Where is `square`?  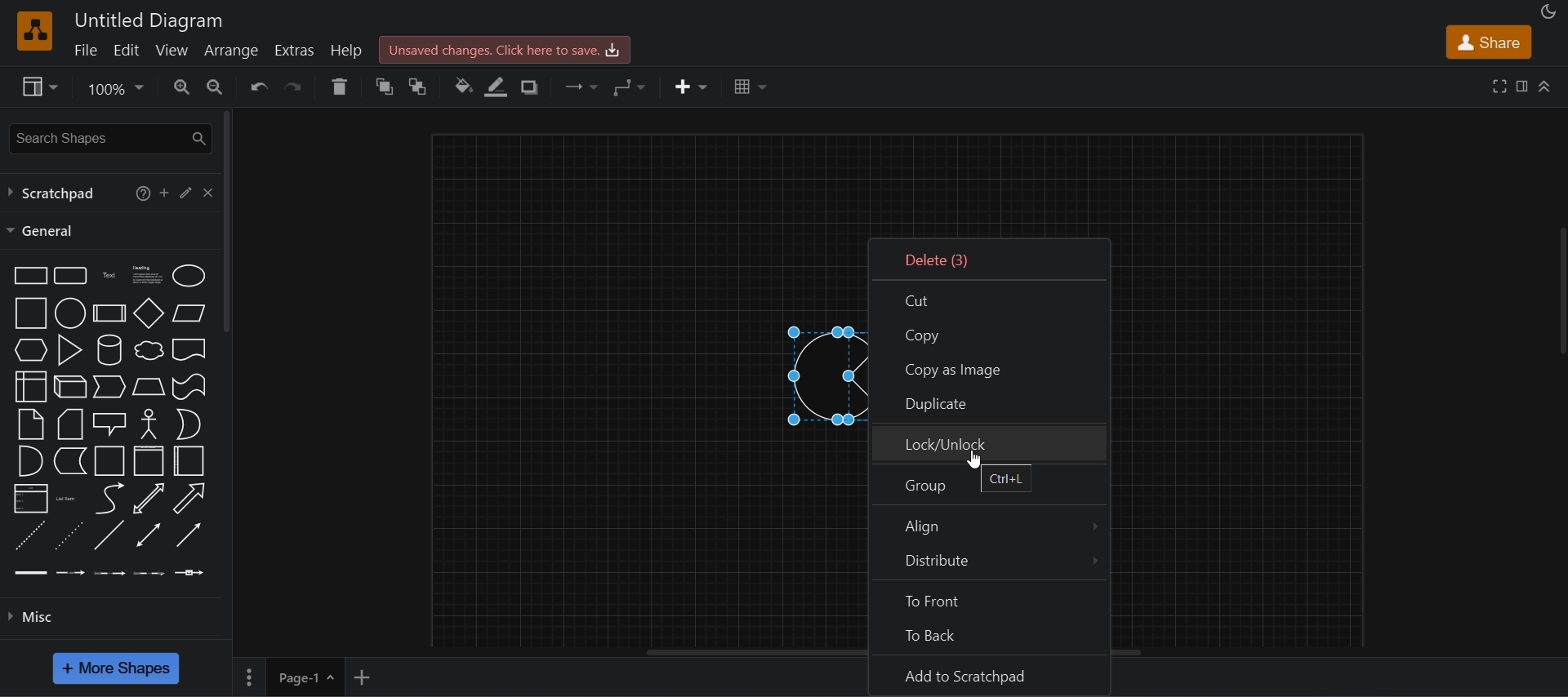 square is located at coordinates (28, 313).